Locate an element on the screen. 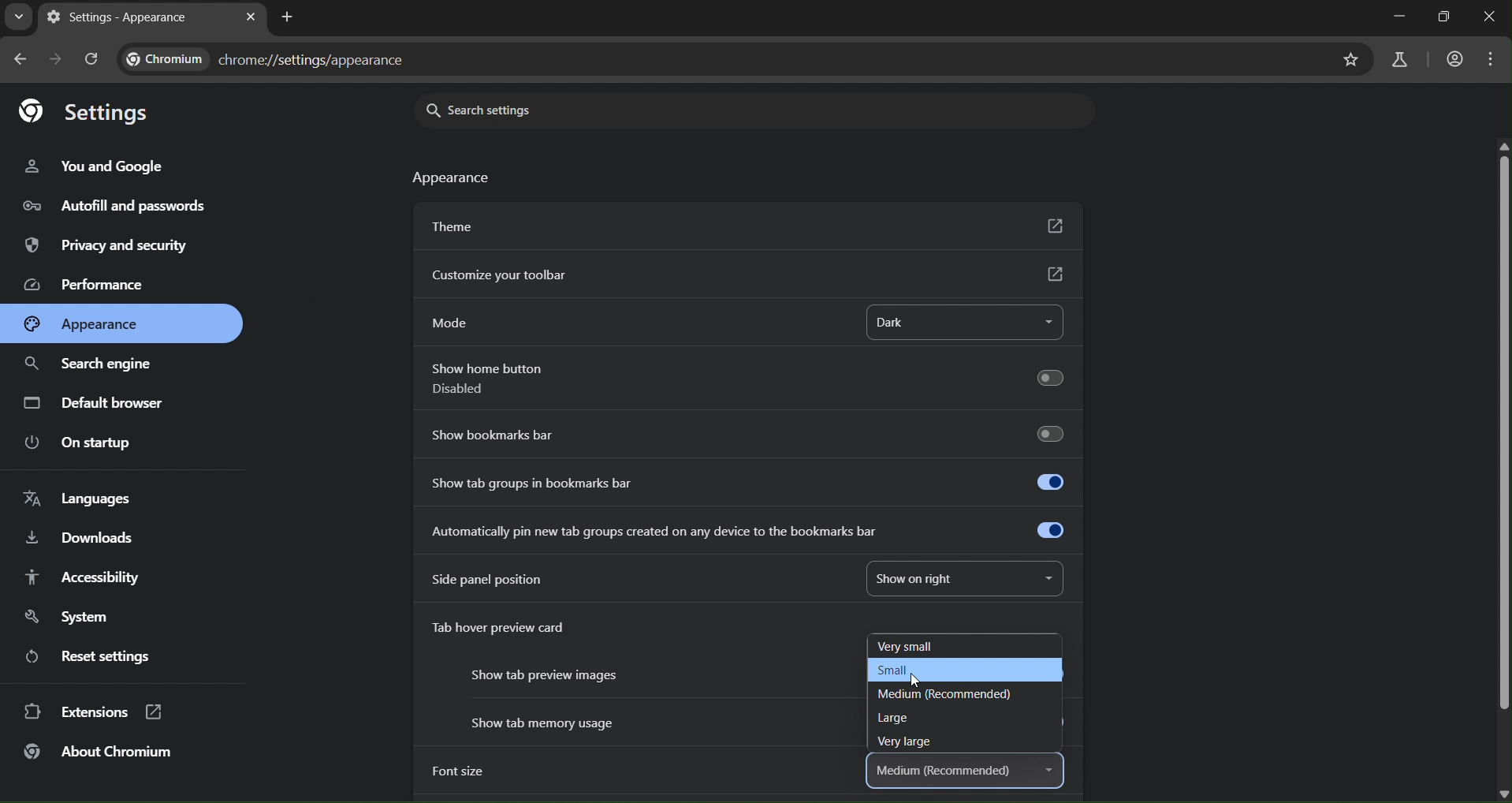 The height and width of the screenshot is (803, 1512). accessibility is located at coordinates (78, 575).